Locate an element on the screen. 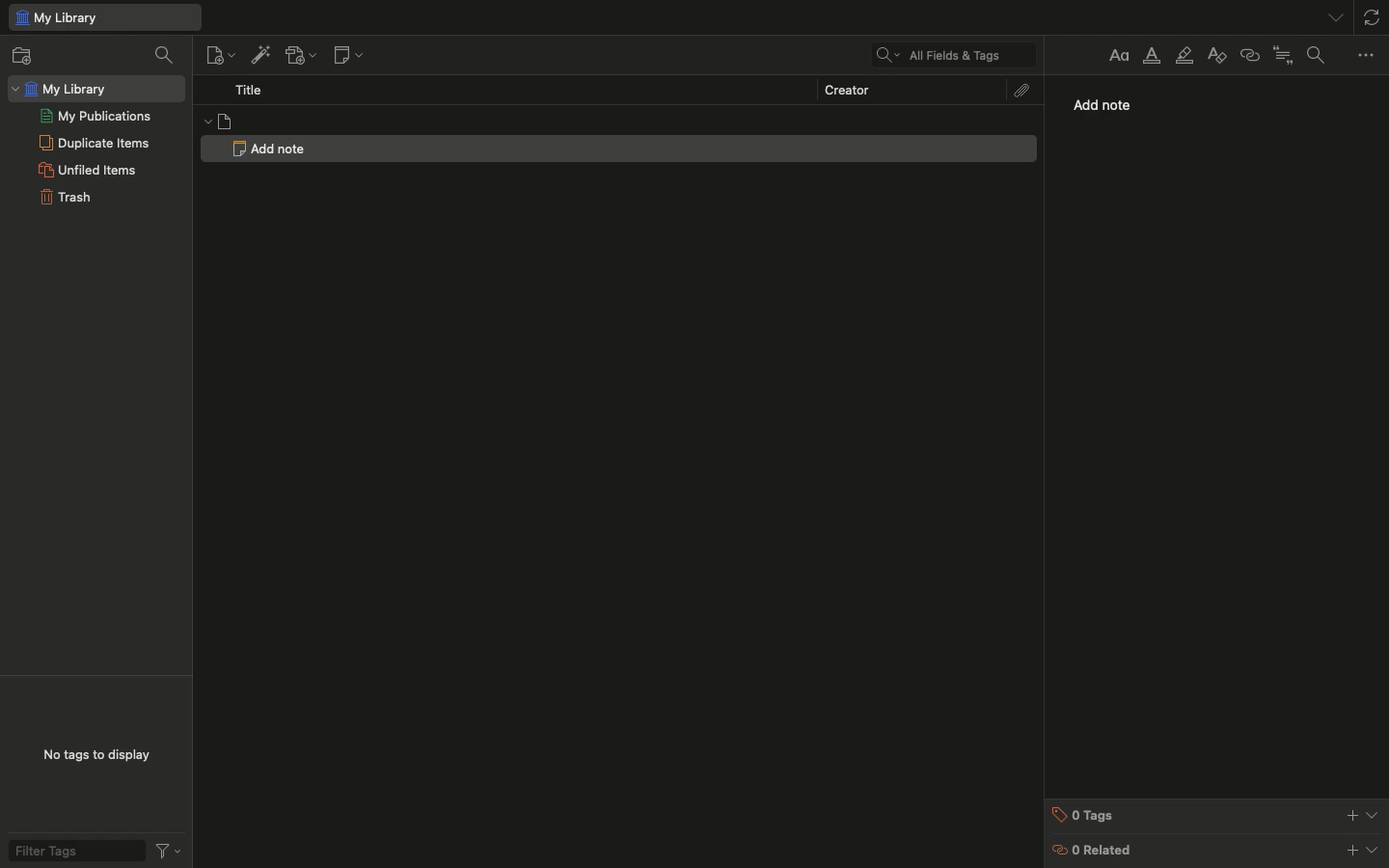  Unfilled items is located at coordinates (87, 170).